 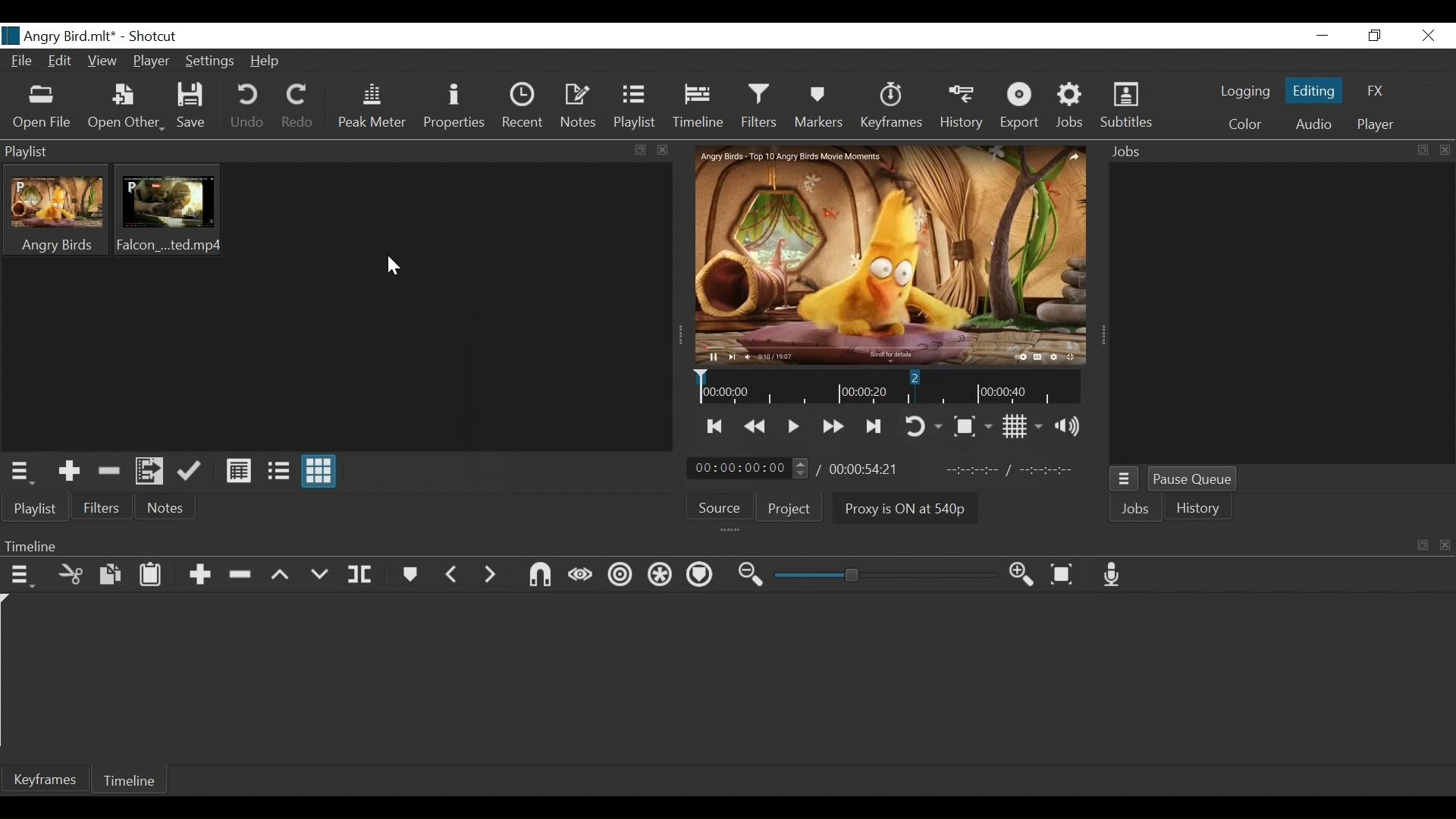 I want to click on Next Marker, so click(x=493, y=576).